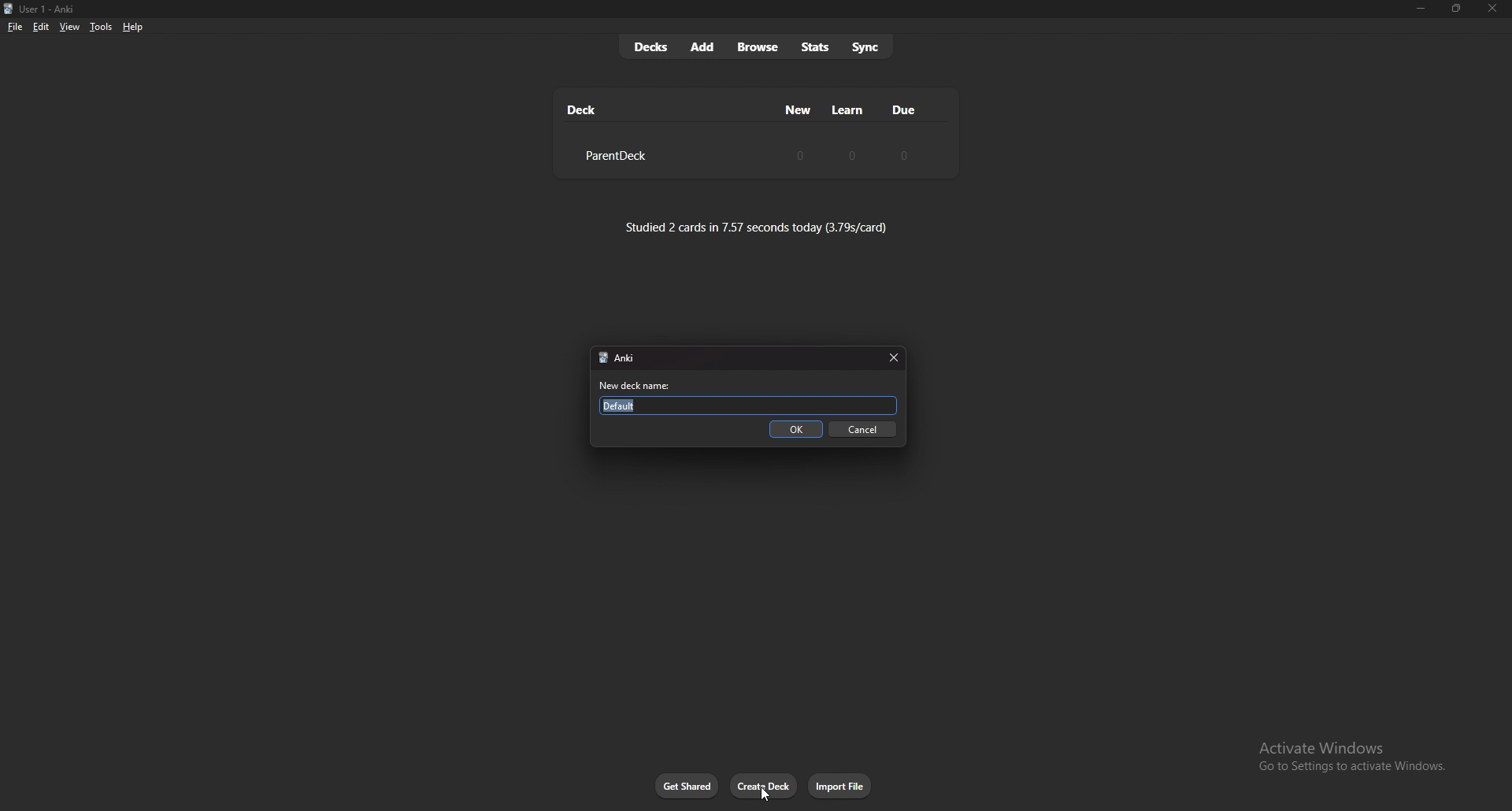  I want to click on deck settings, so click(932, 154).